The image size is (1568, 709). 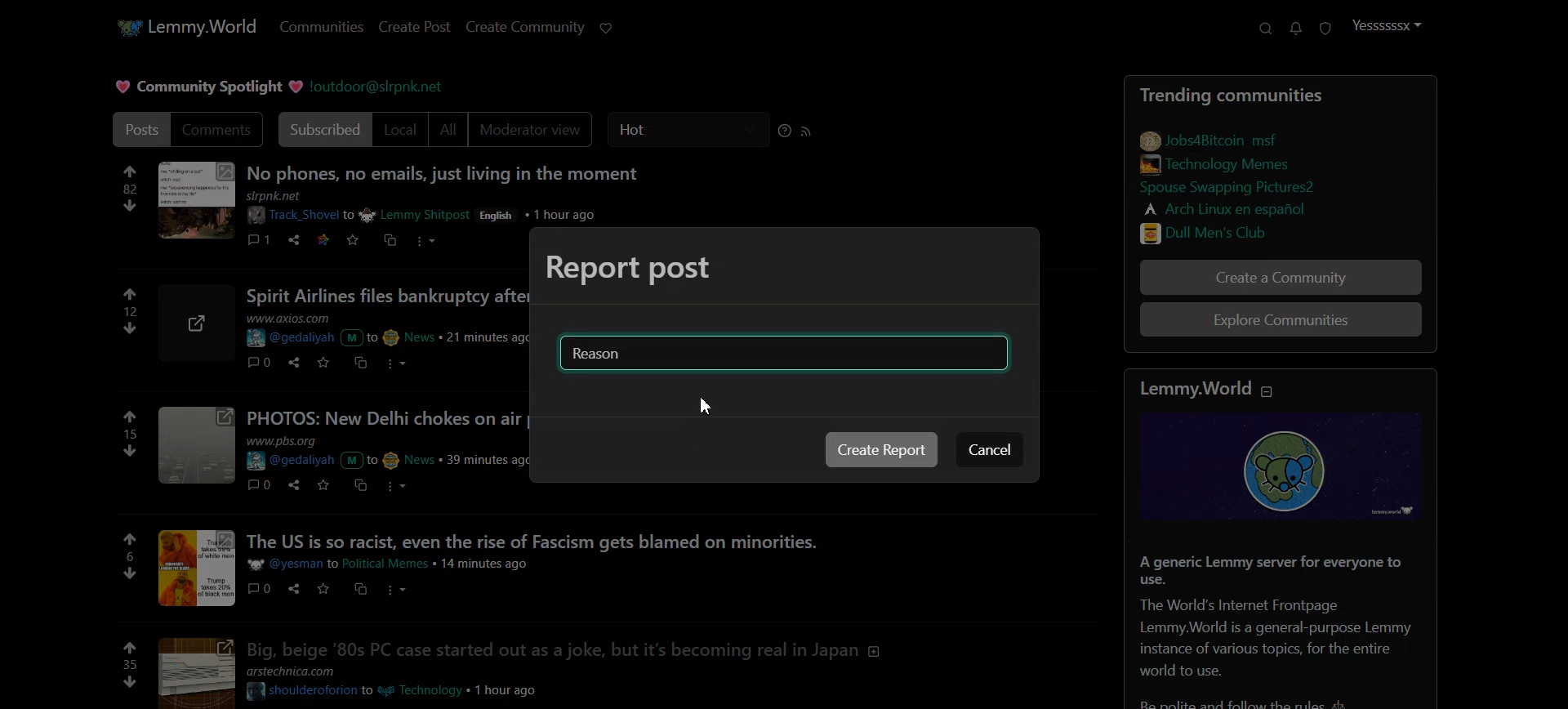 What do you see at coordinates (130, 682) in the screenshot?
I see `downvote` at bounding box center [130, 682].